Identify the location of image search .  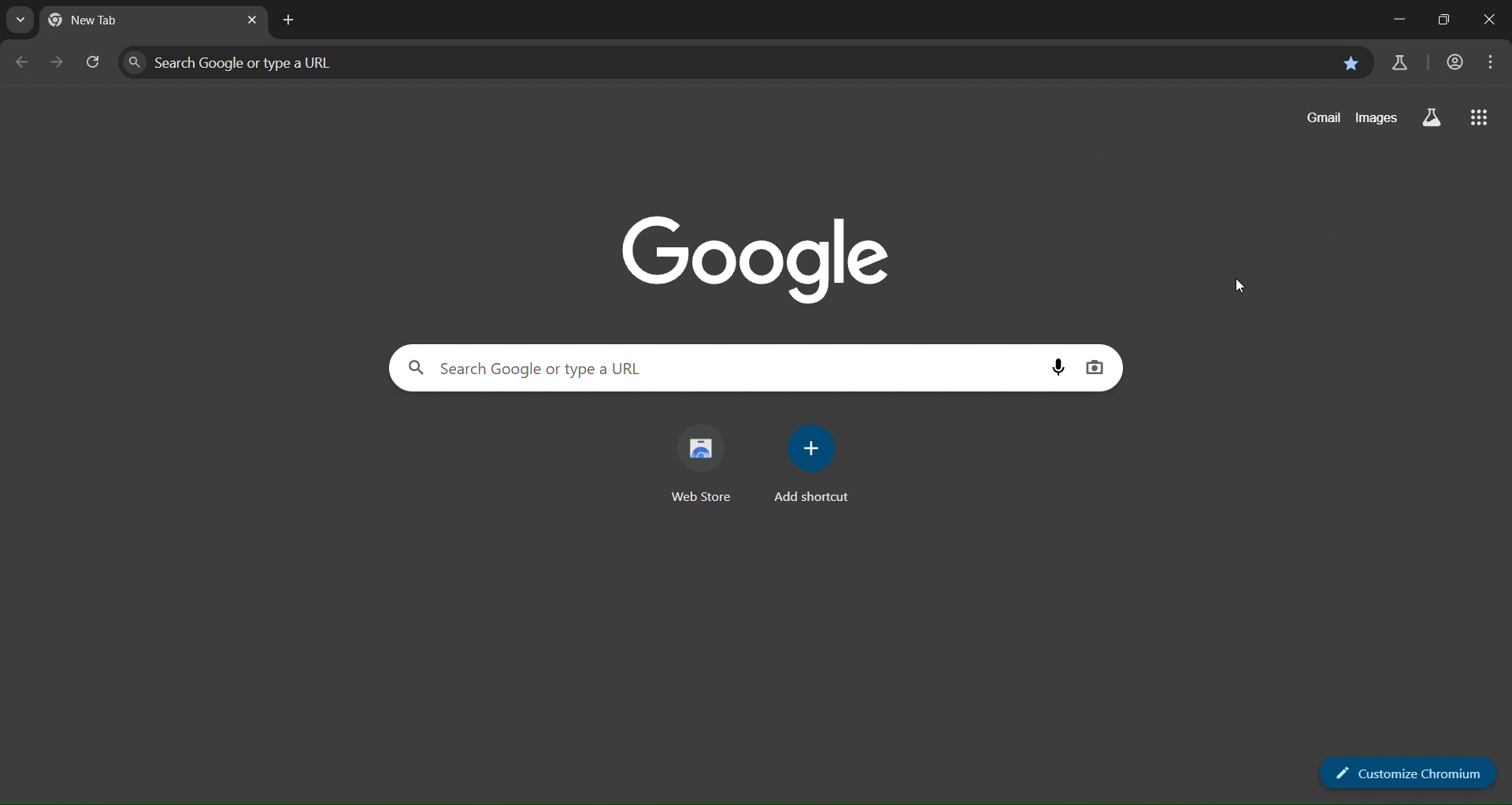
(1094, 365).